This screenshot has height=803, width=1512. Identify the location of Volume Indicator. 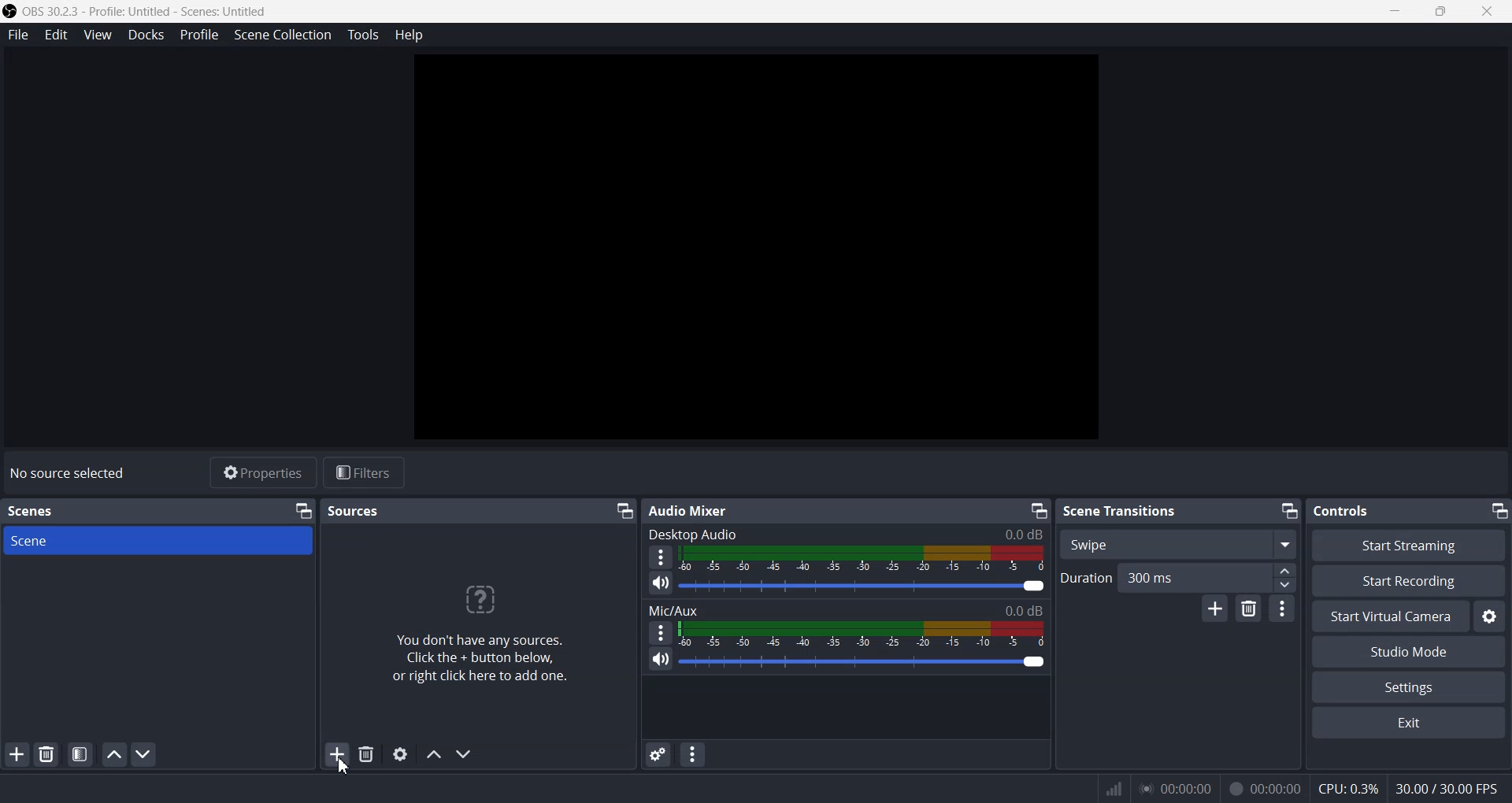
(863, 558).